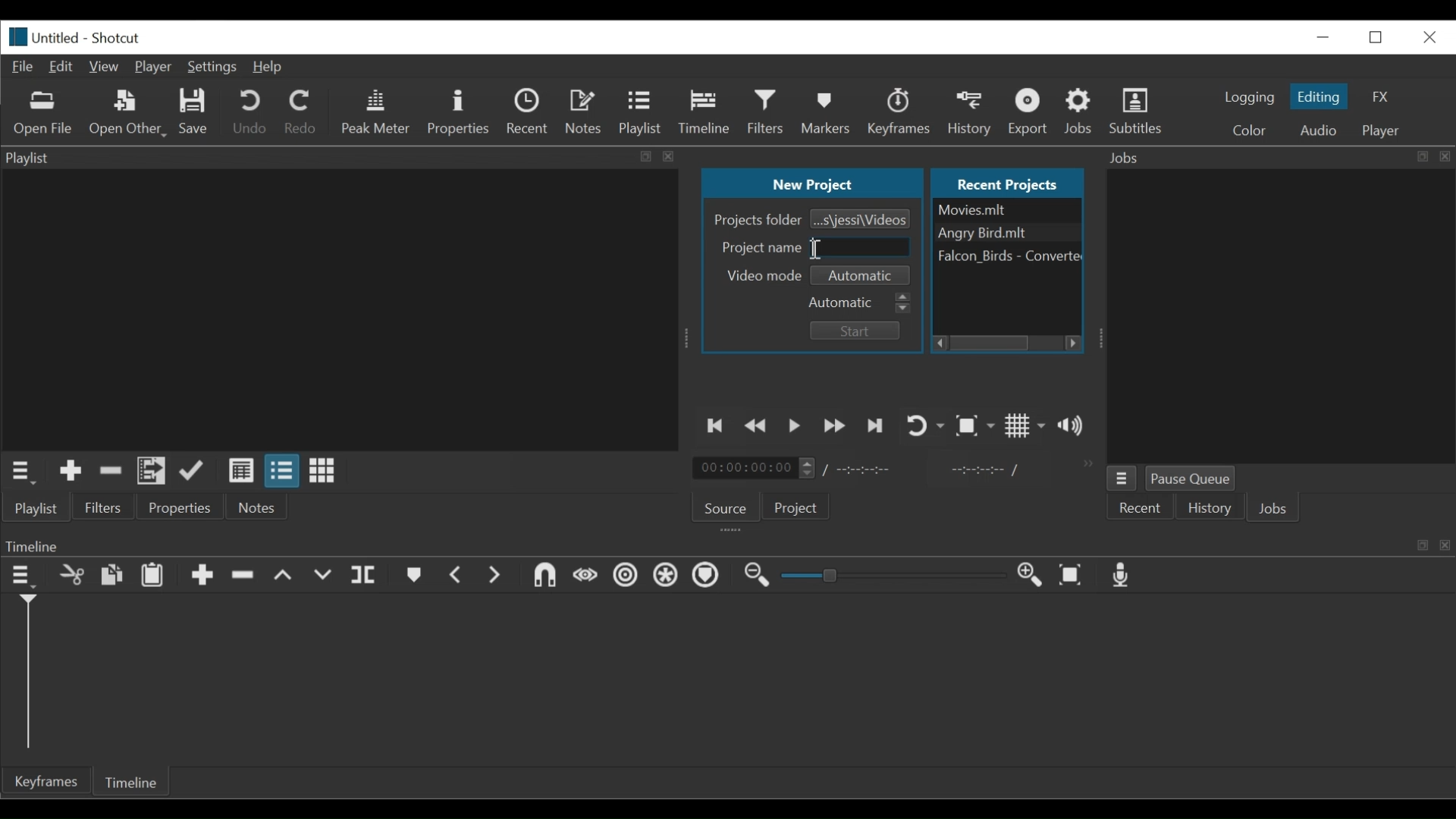 This screenshot has width=1456, height=819. Describe the element at coordinates (212, 67) in the screenshot. I see `Settings` at that location.